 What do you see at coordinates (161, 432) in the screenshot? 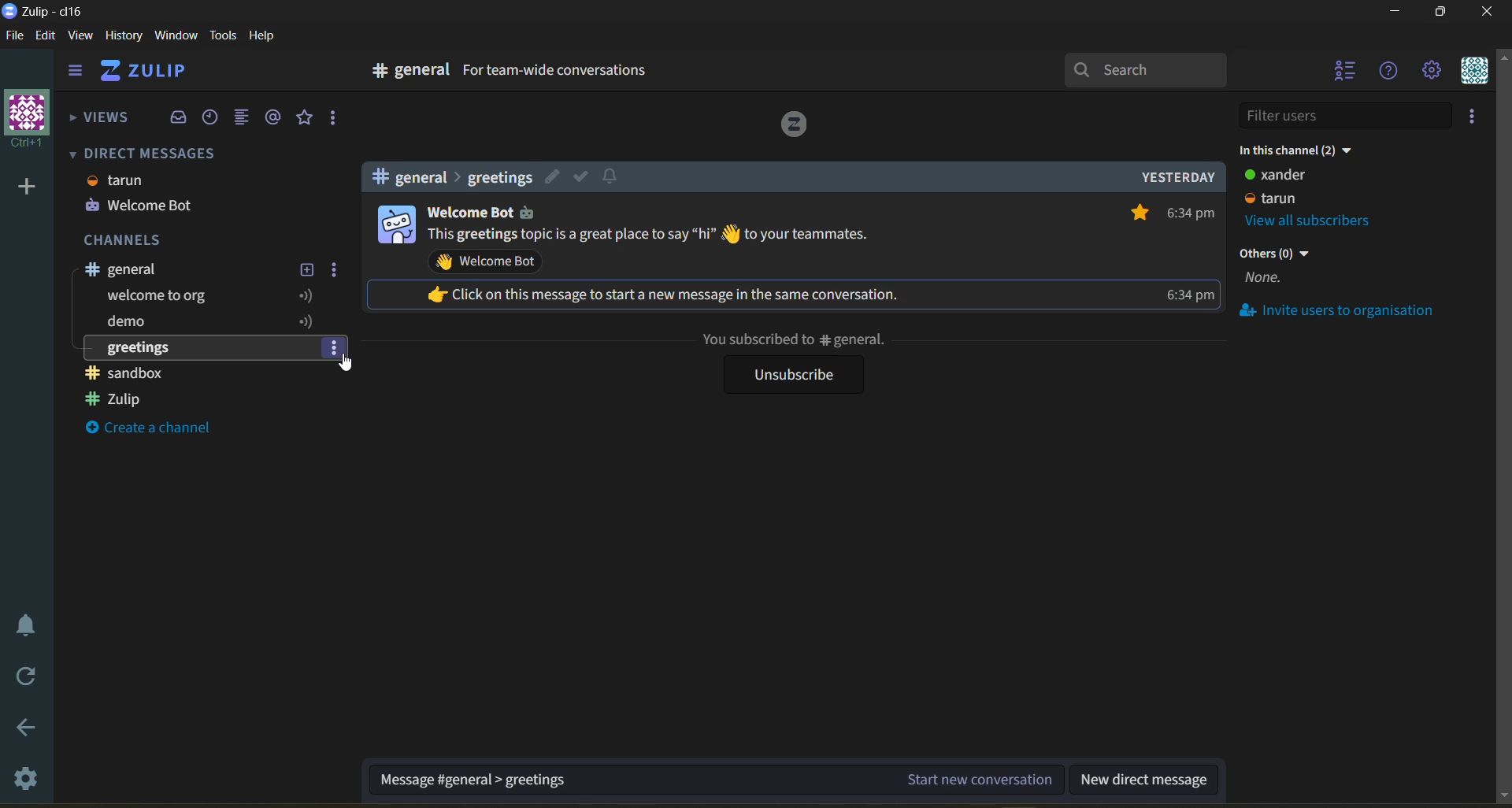
I see `create a channel` at bounding box center [161, 432].